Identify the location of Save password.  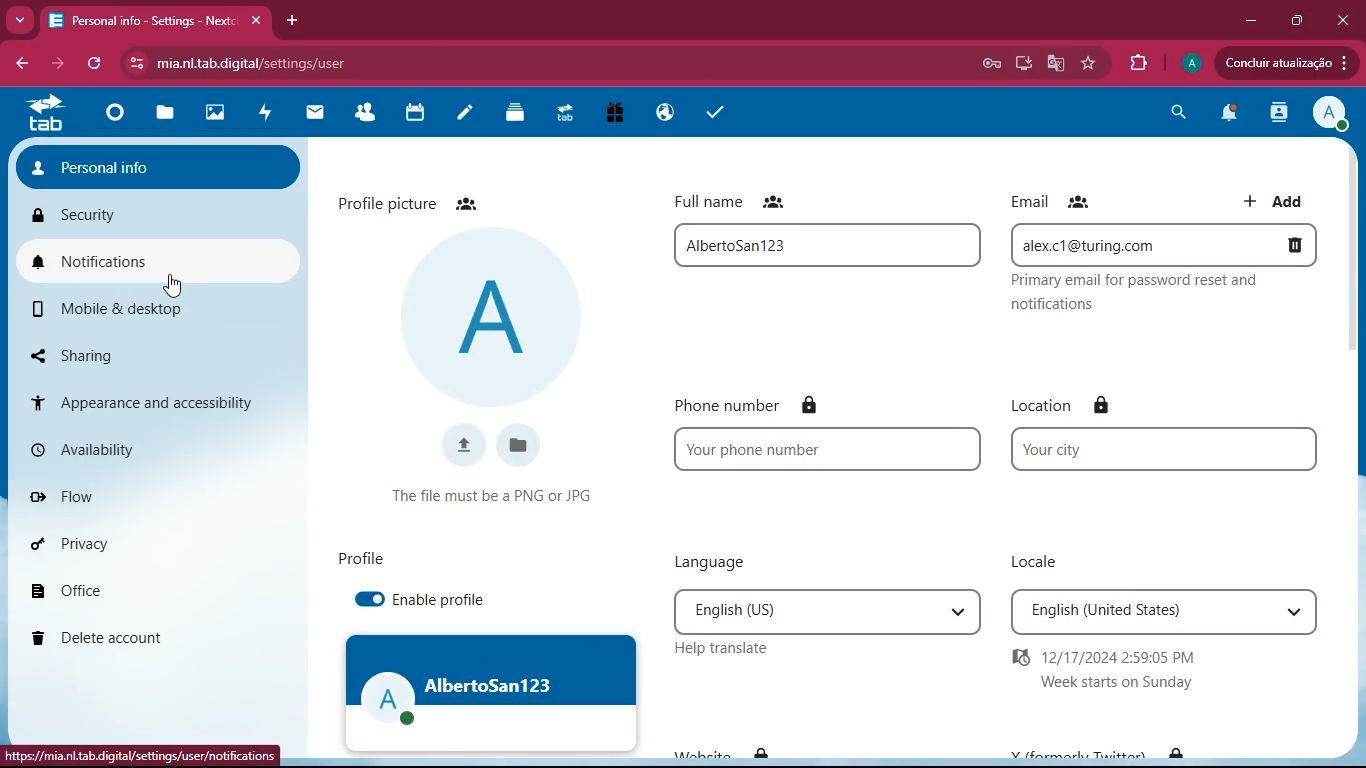
(986, 64).